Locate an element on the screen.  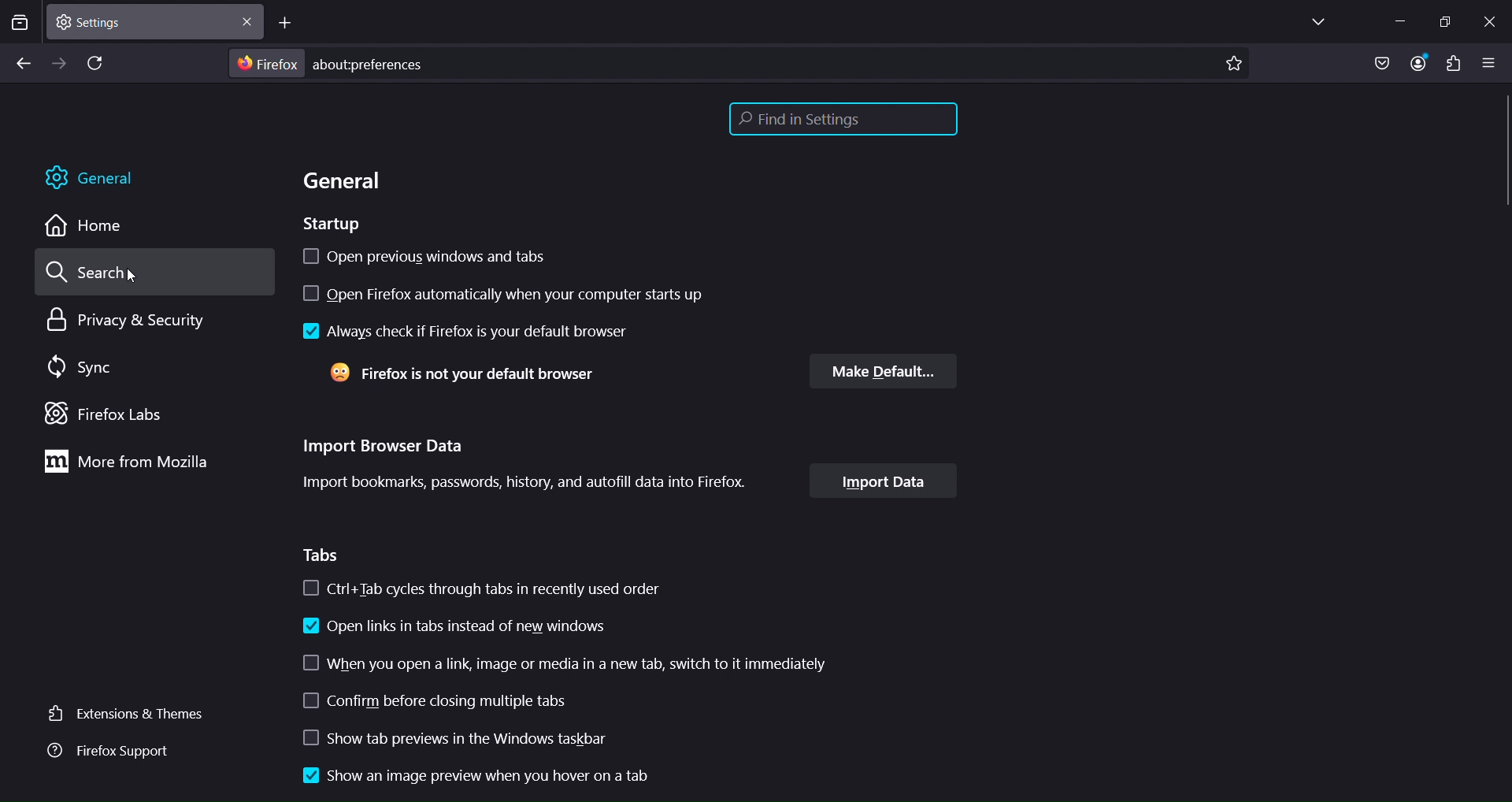
home is located at coordinates (90, 227).